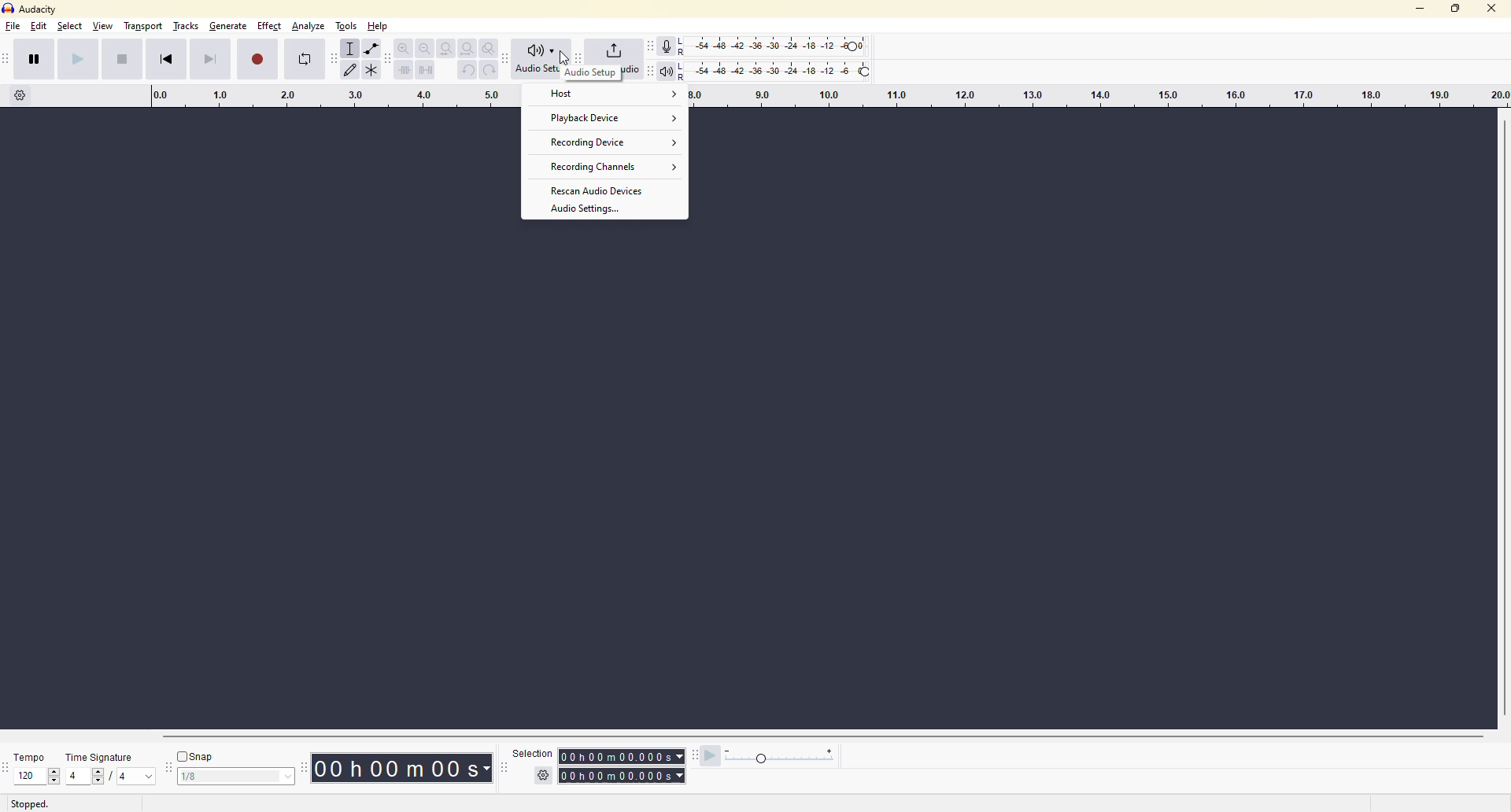 The image size is (1511, 812). What do you see at coordinates (79, 59) in the screenshot?
I see `play` at bounding box center [79, 59].